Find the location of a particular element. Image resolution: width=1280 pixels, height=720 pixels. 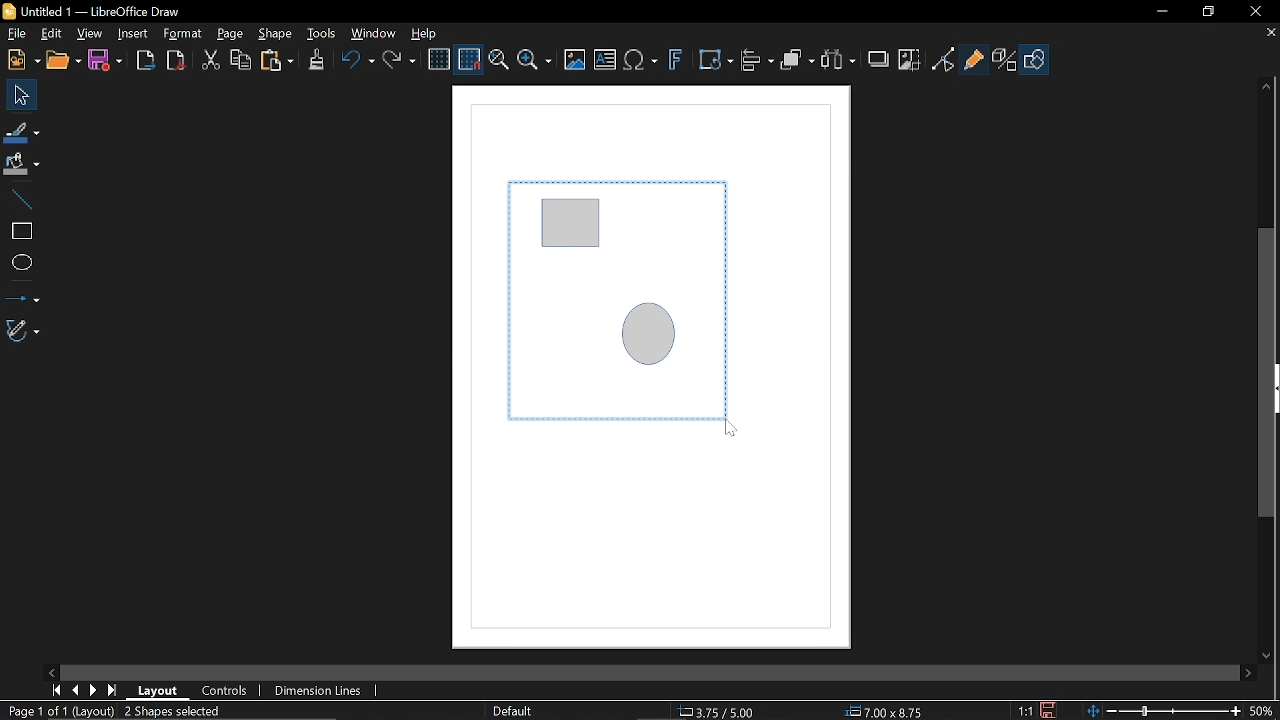

Lines and arrows is located at coordinates (21, 294).